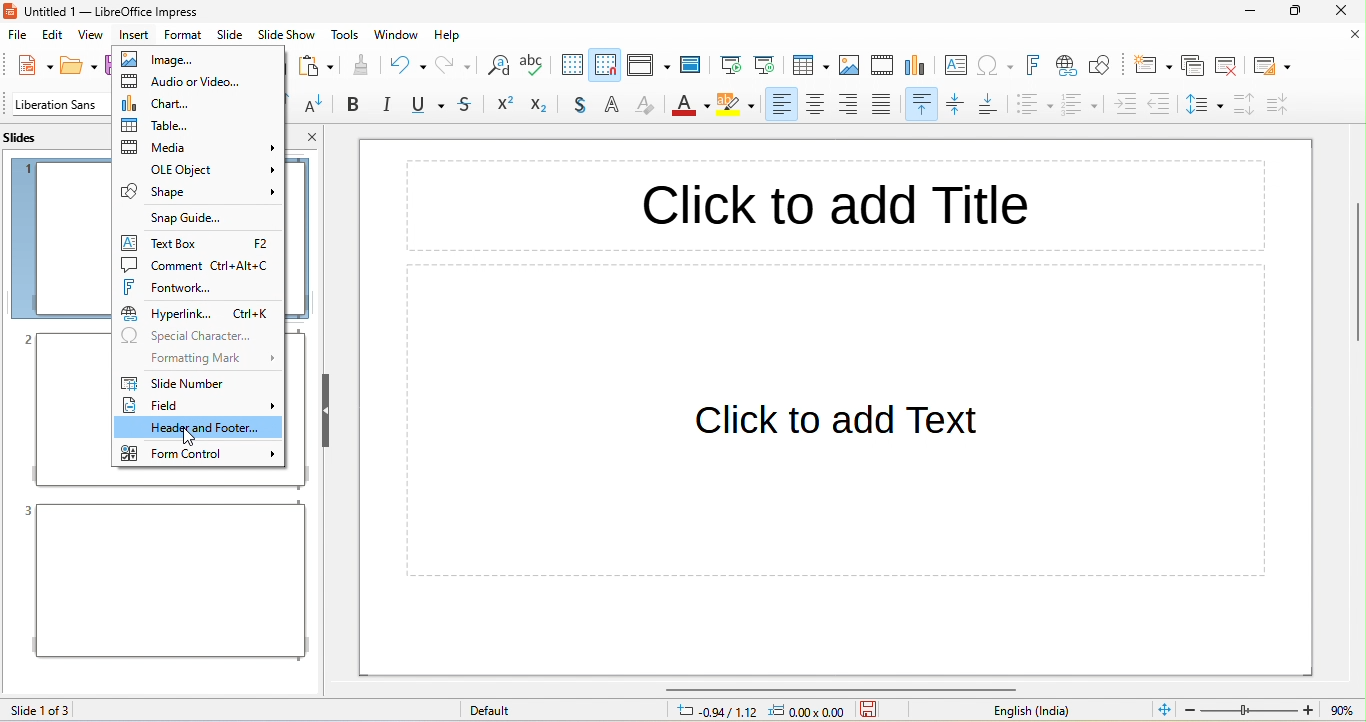 This screenshot has width=1366, height=722. What do you see at coordinates (197, 454) in the screenshot?
I see `form control` at bounding box center [197, 454].